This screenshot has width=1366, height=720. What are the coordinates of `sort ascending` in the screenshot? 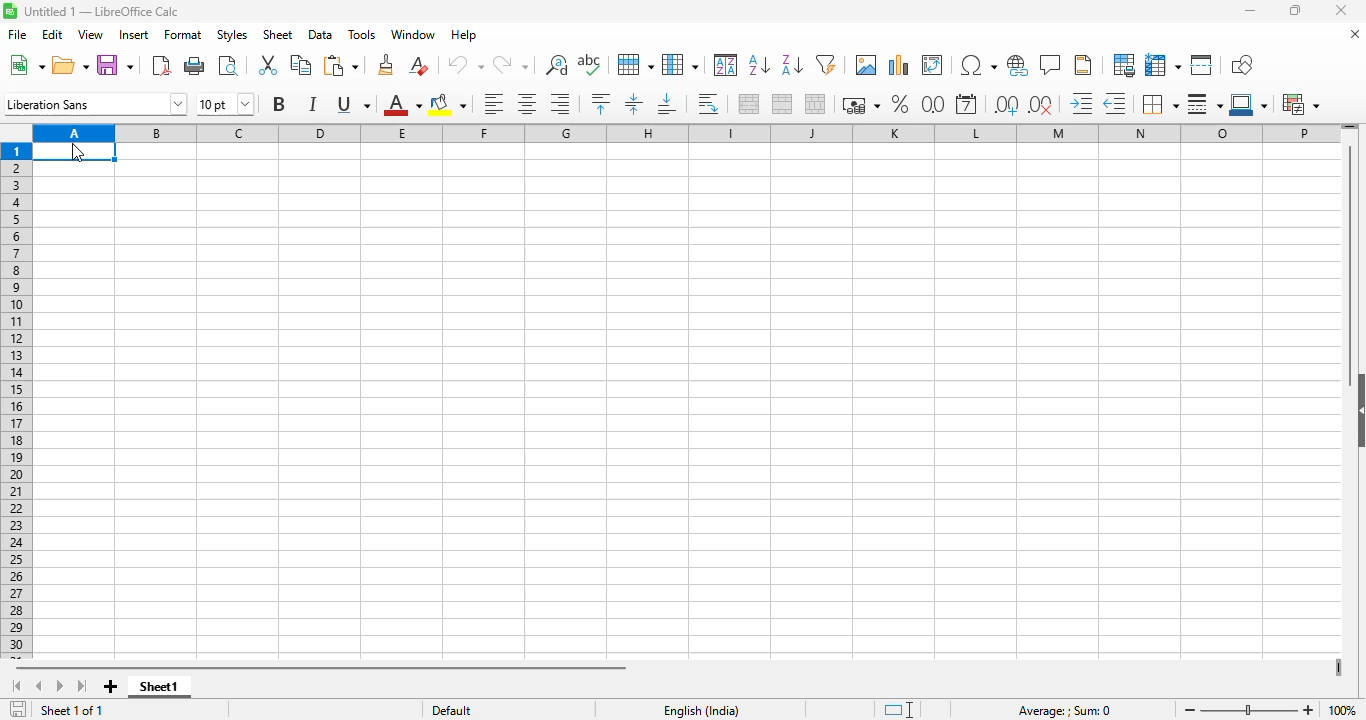 It's located at (759, 66).